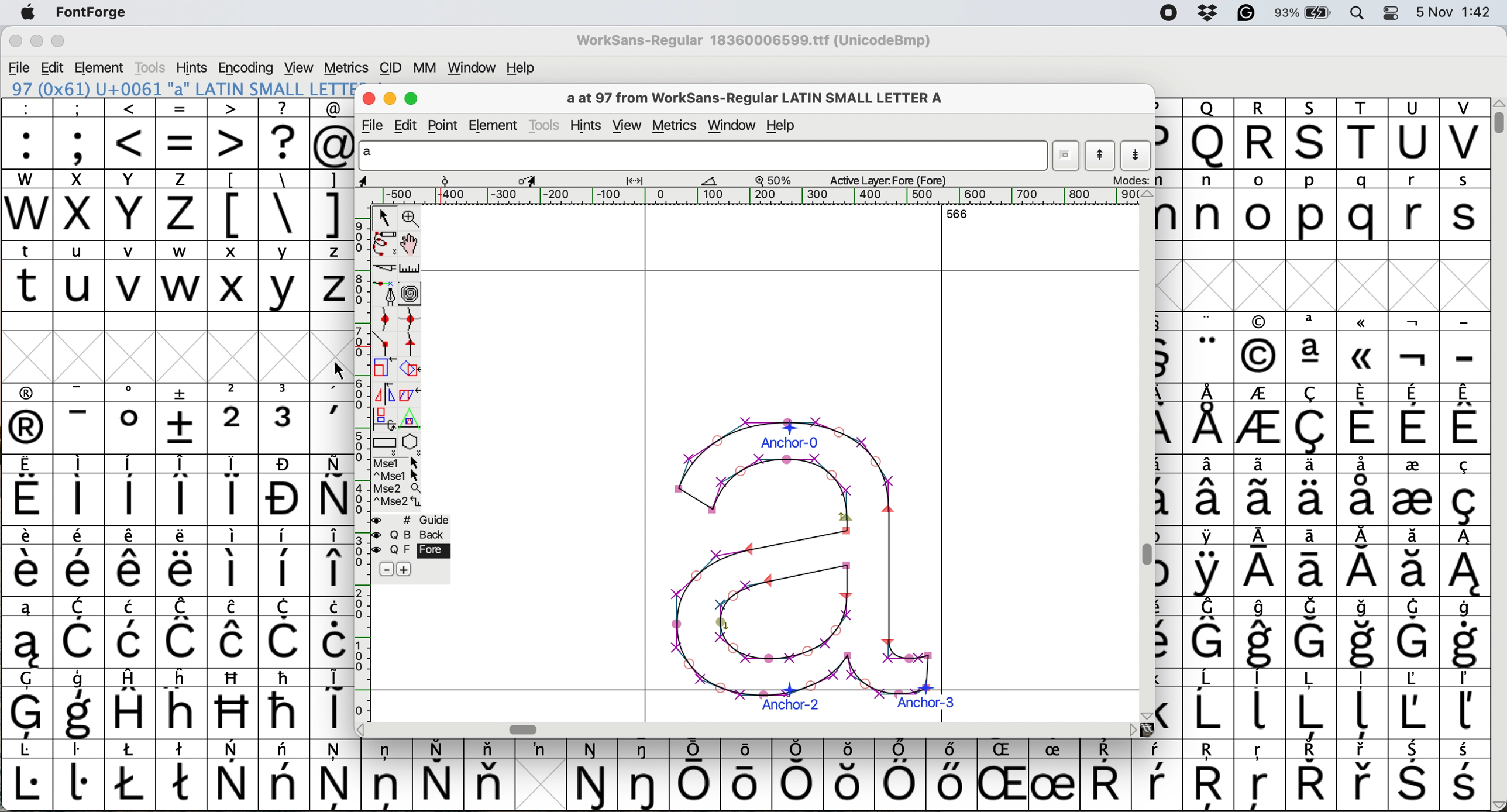 The image size is (1507, 812). I want to click on symbol, so click(183, 418).